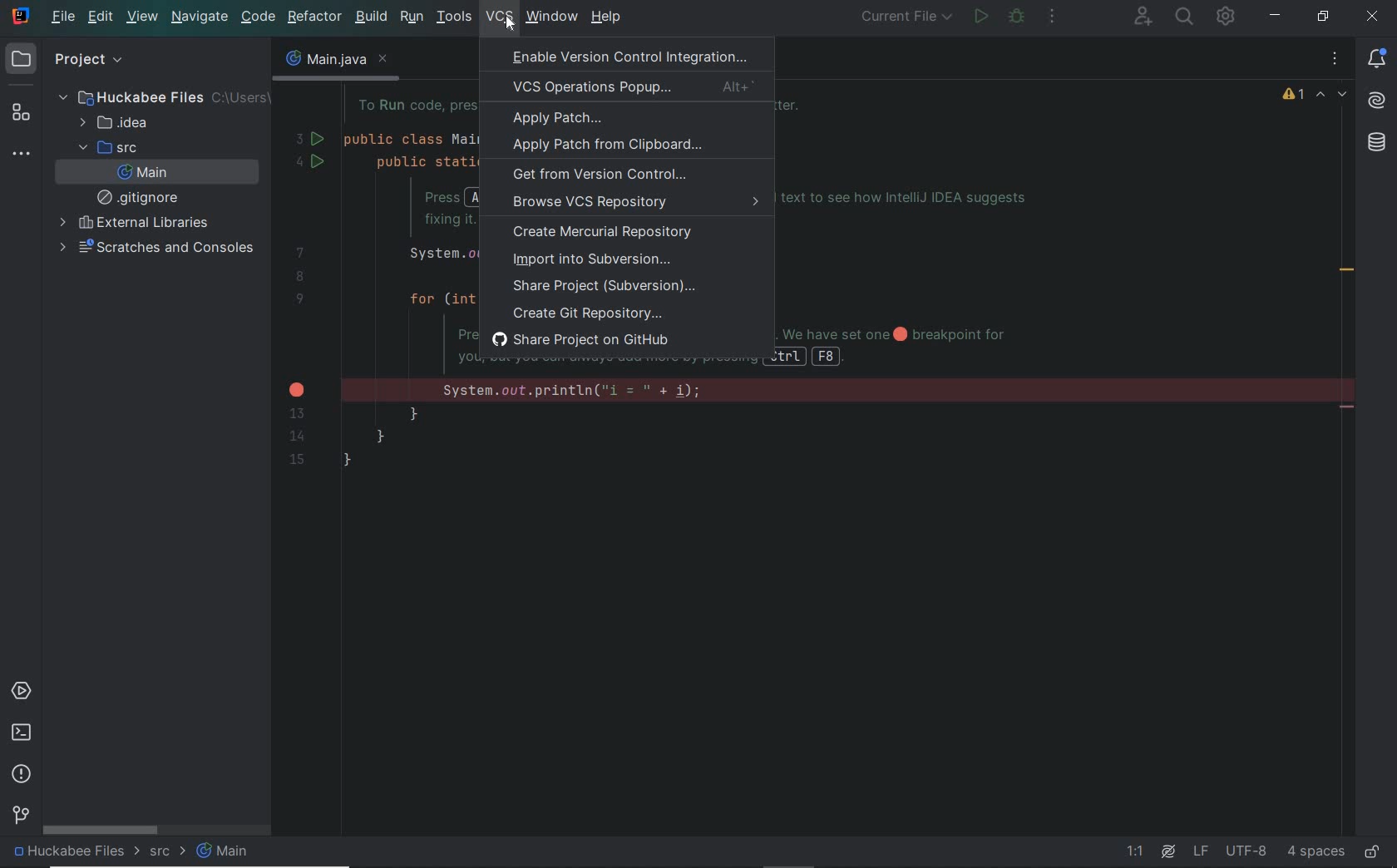 This screenshot has height=868, width=1397. I want to click on ai assistant, so click(1167, 851).